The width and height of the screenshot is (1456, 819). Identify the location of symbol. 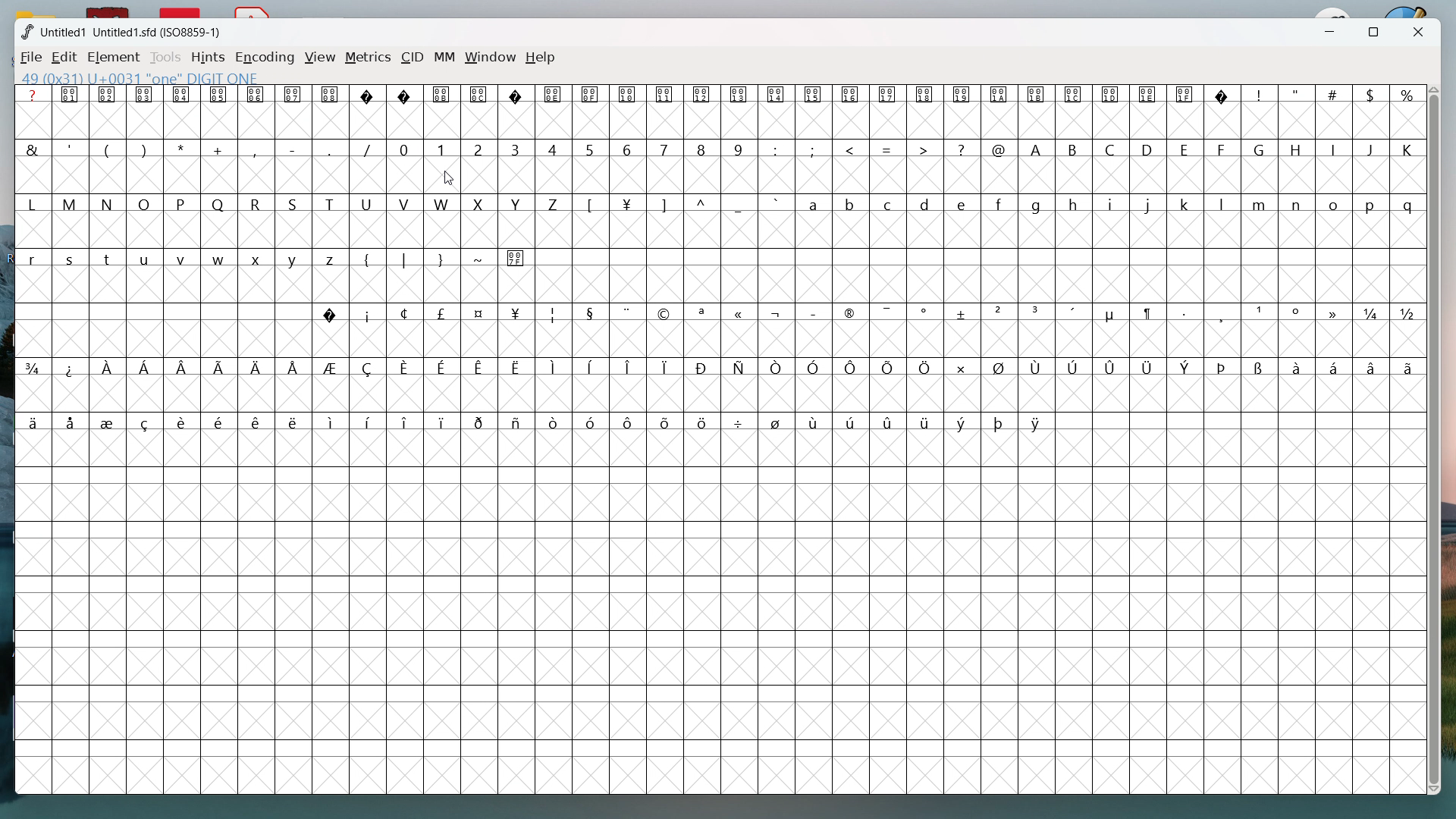
(778, 311).